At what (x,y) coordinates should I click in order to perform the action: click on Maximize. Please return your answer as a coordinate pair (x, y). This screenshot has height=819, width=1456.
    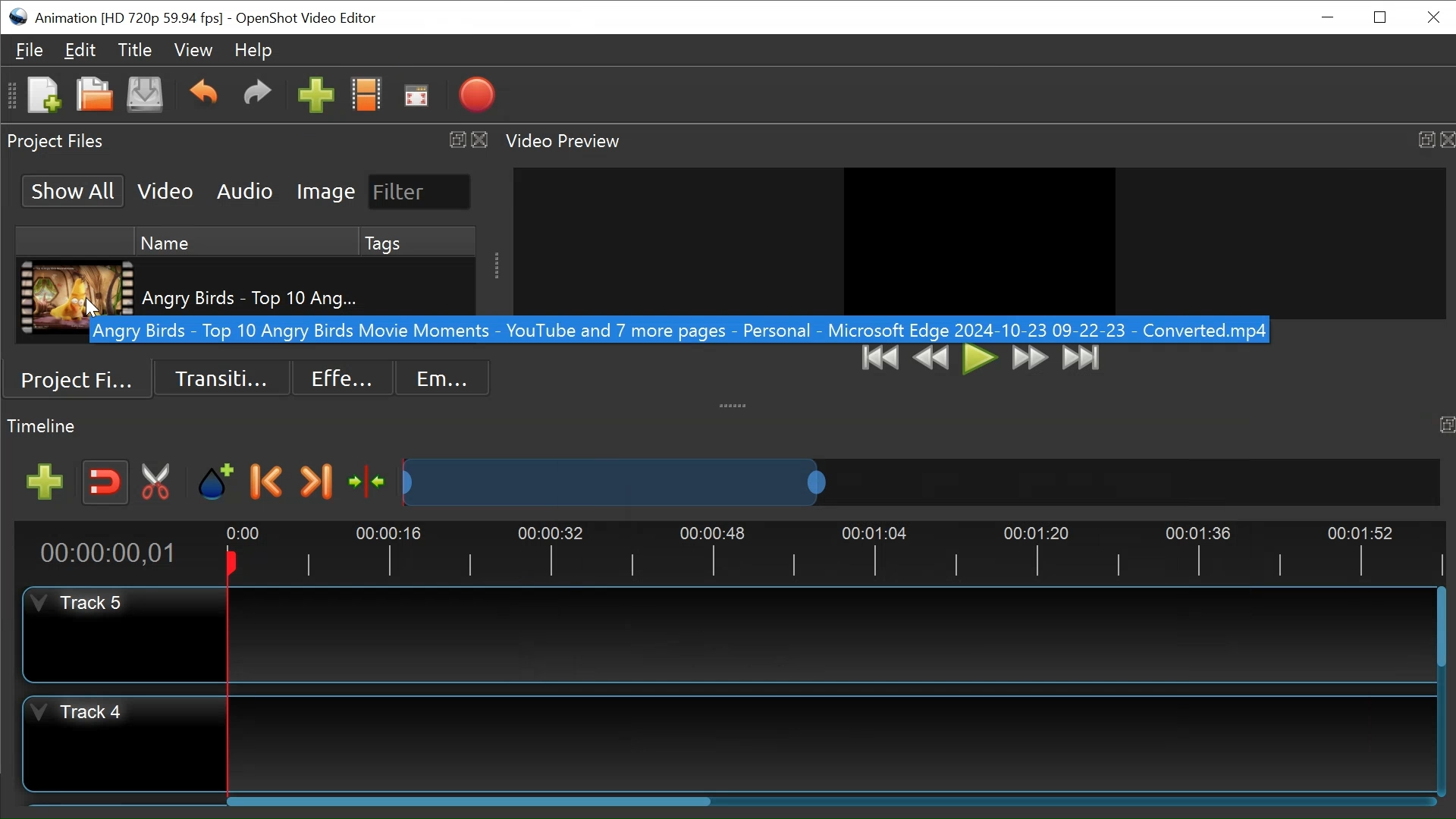
    Looking at the image, I should click on (1423, 136).